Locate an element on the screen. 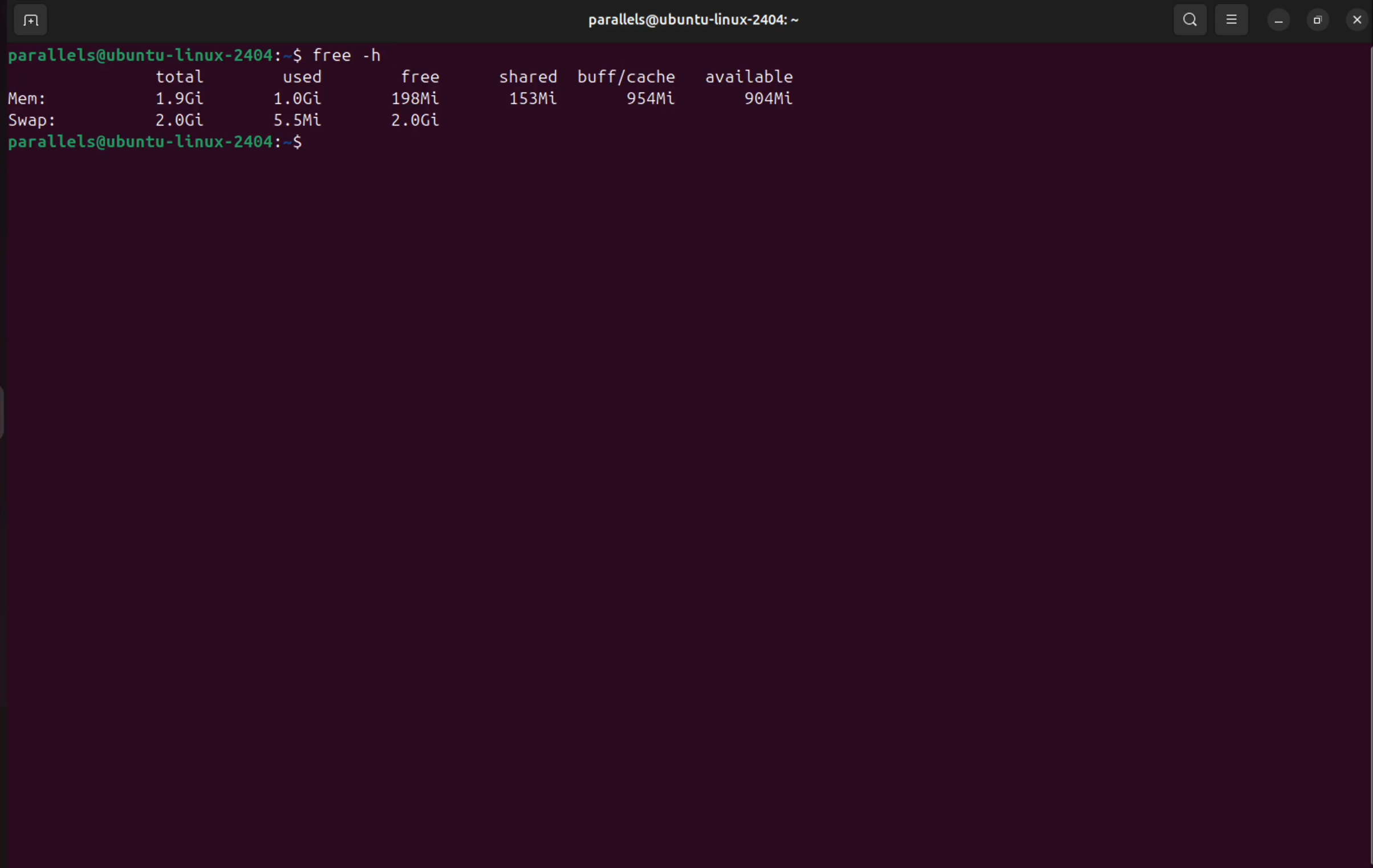 The height and width of the screenshot is (868, 1373). search is located at coordinates (1191, 20).